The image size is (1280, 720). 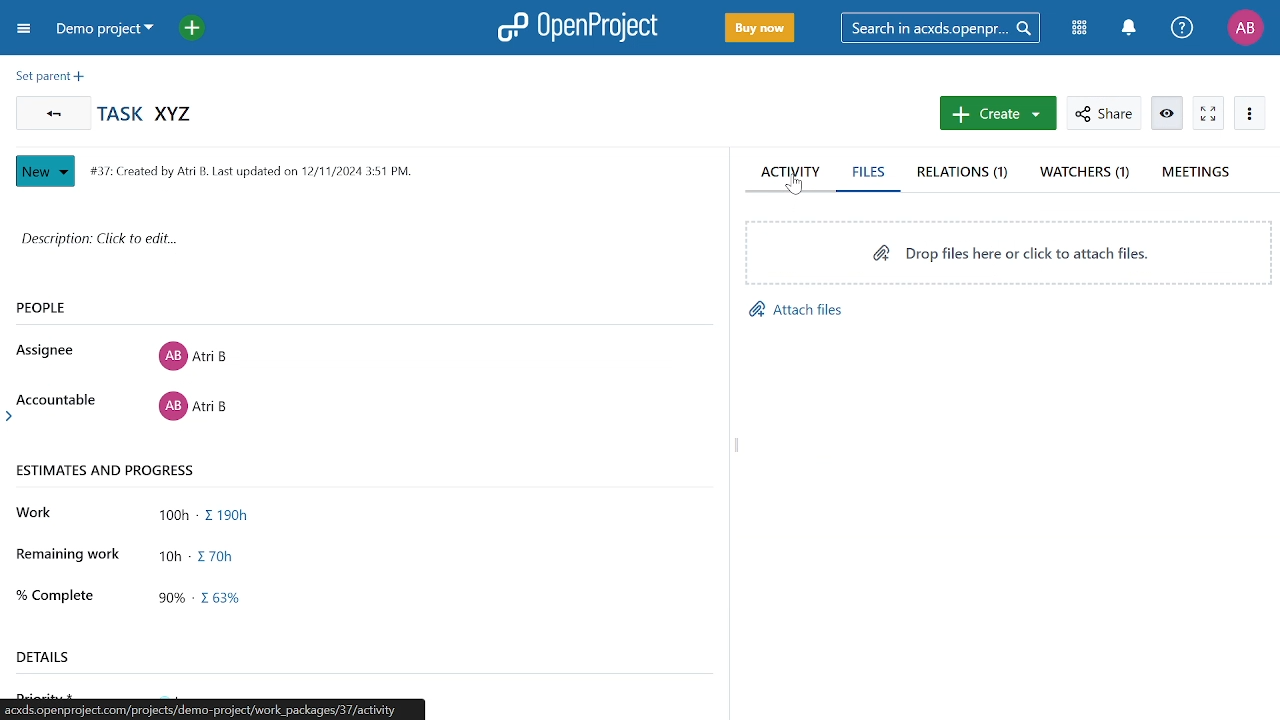 I want to click on details, so click(x=56, y=652).